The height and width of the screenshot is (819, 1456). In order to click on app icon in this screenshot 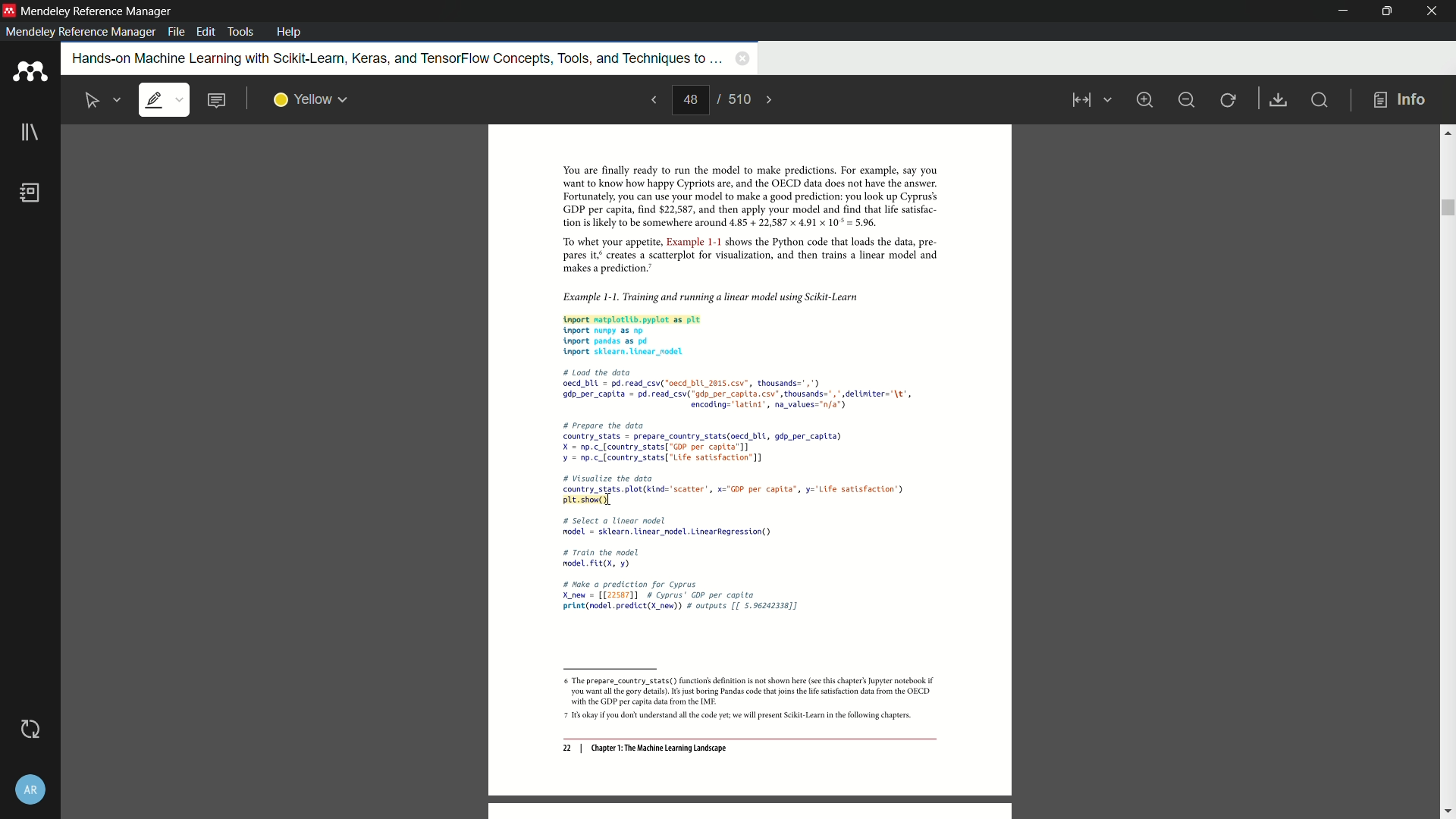, I will do `click(9, 10)`.